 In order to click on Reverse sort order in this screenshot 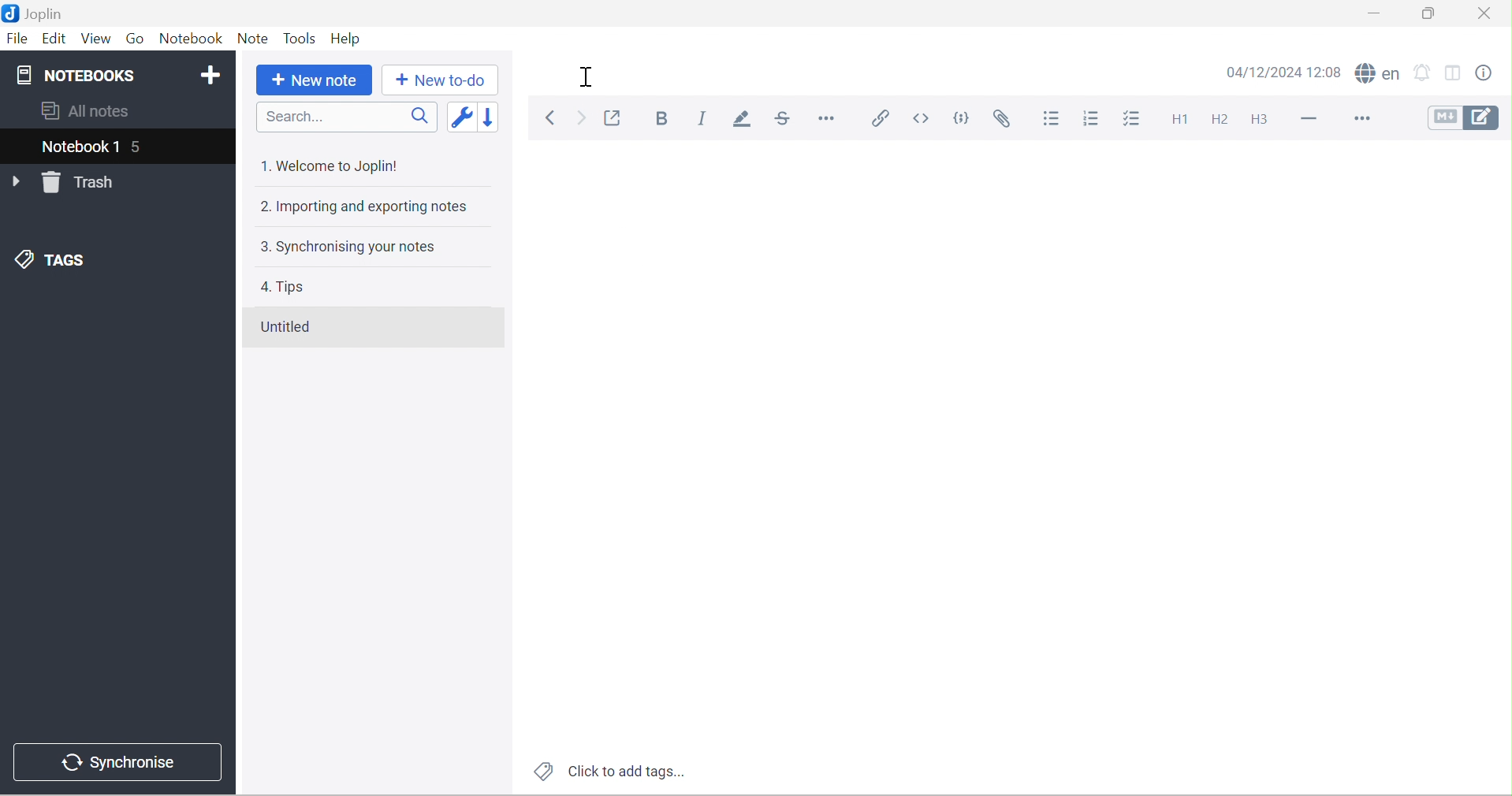, I will do `click(492, 114)`.